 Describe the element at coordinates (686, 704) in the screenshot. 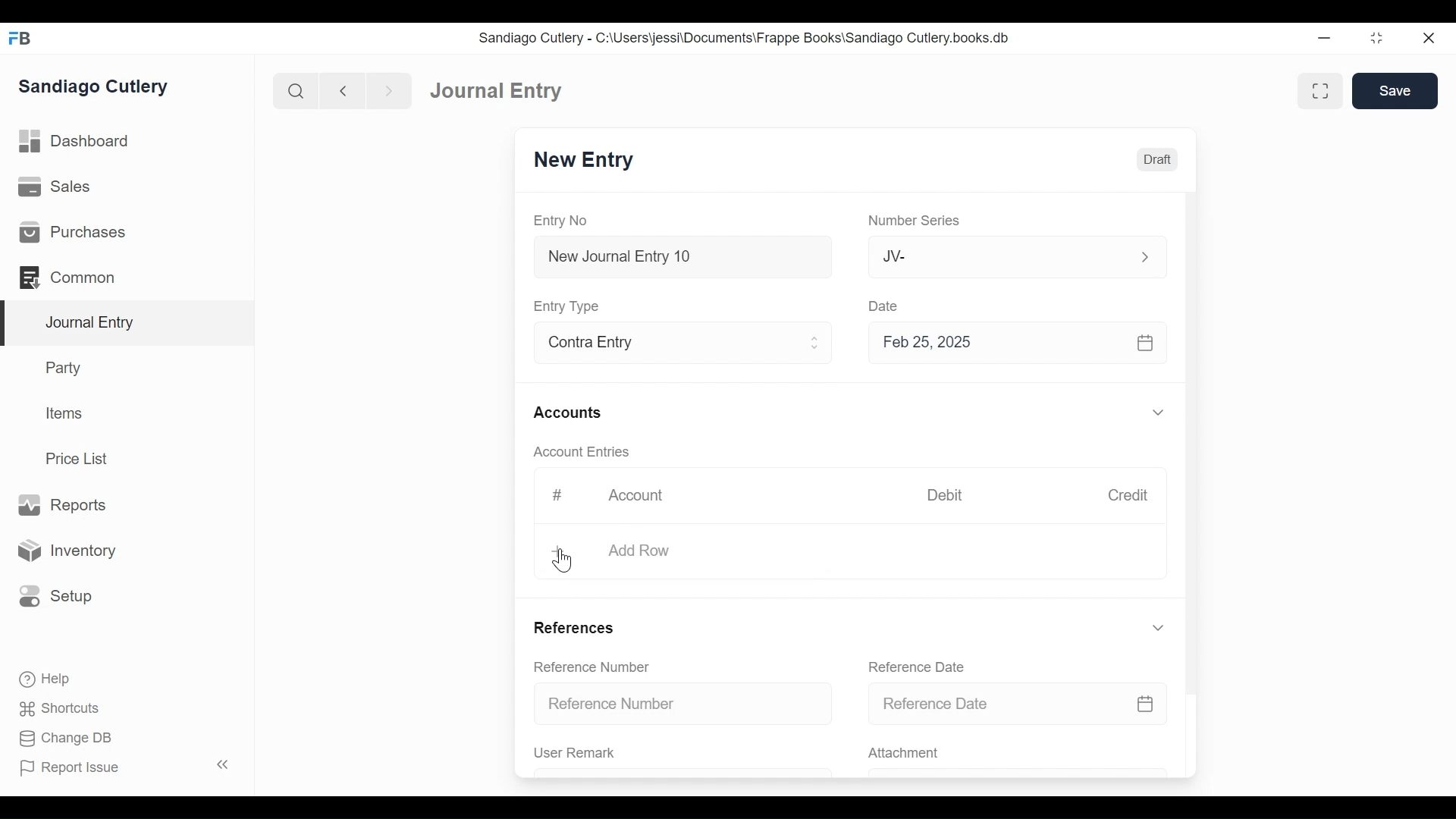

I see `Reference Number` at that location.